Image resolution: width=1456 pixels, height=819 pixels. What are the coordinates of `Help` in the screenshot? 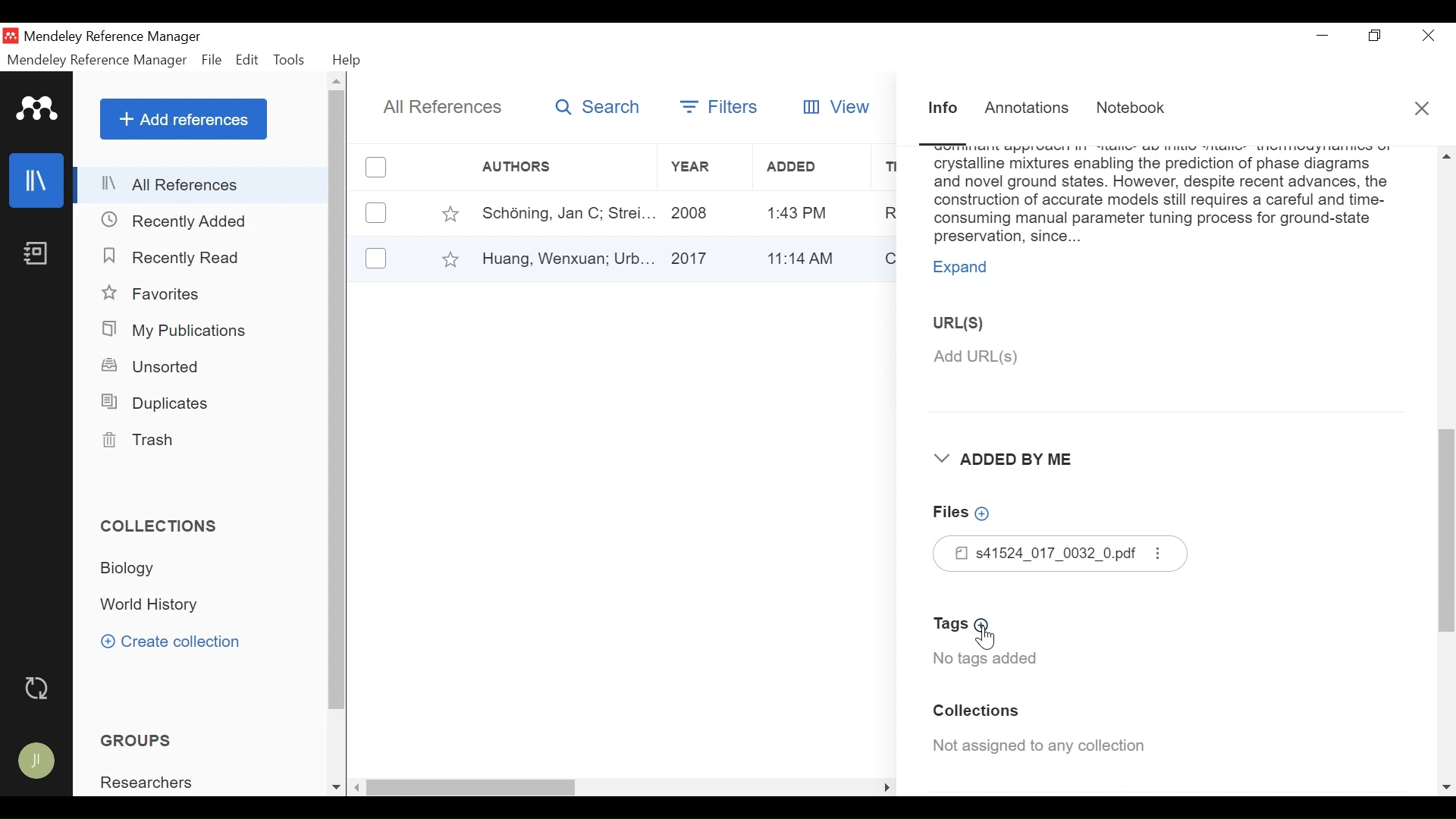 It's located at (348, 61).